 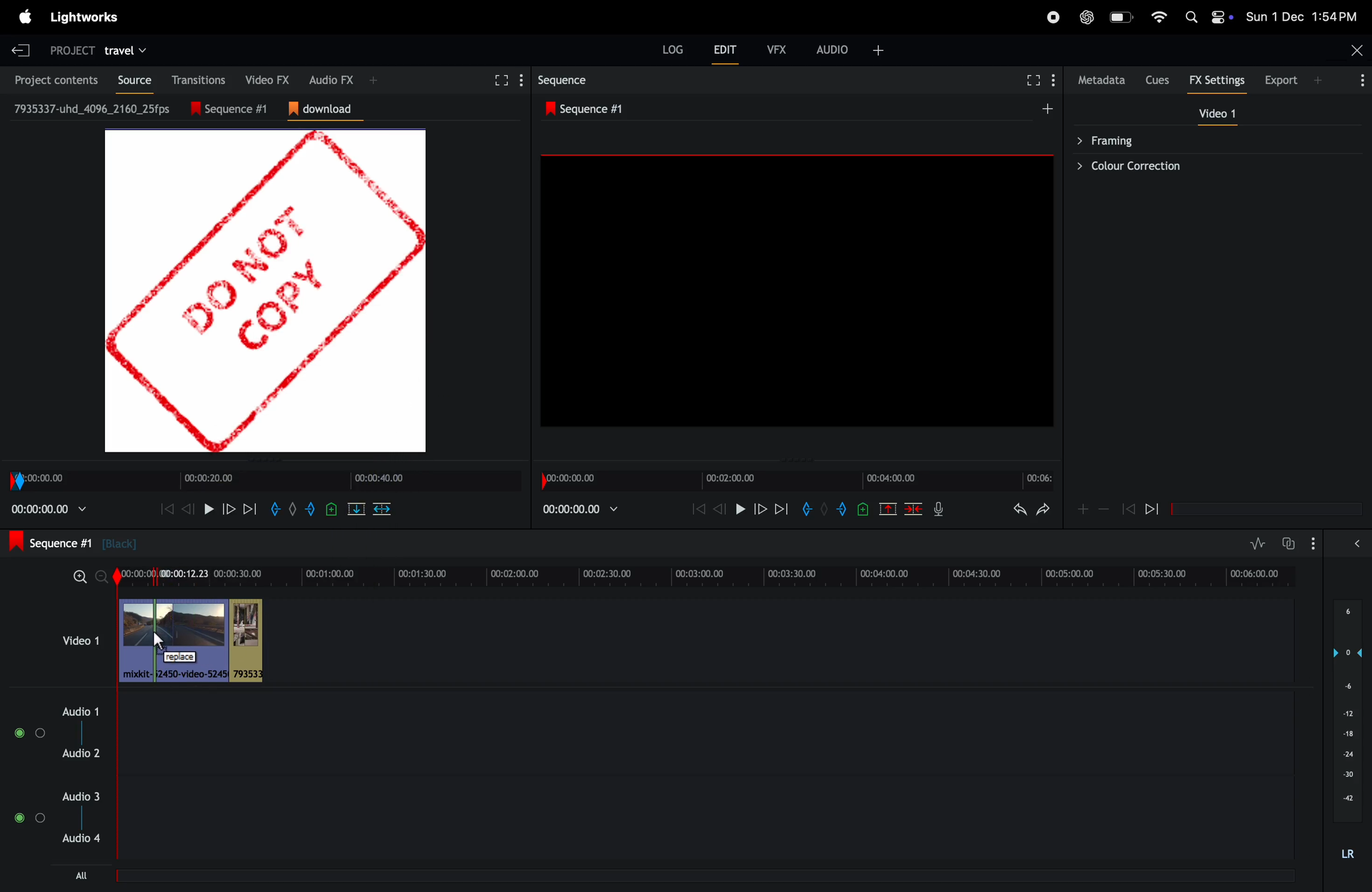 What do you see at coordinates (1257, 543) in the screenshot?
I see `toggle audio editing levels` at bounding box center [1257, 543].